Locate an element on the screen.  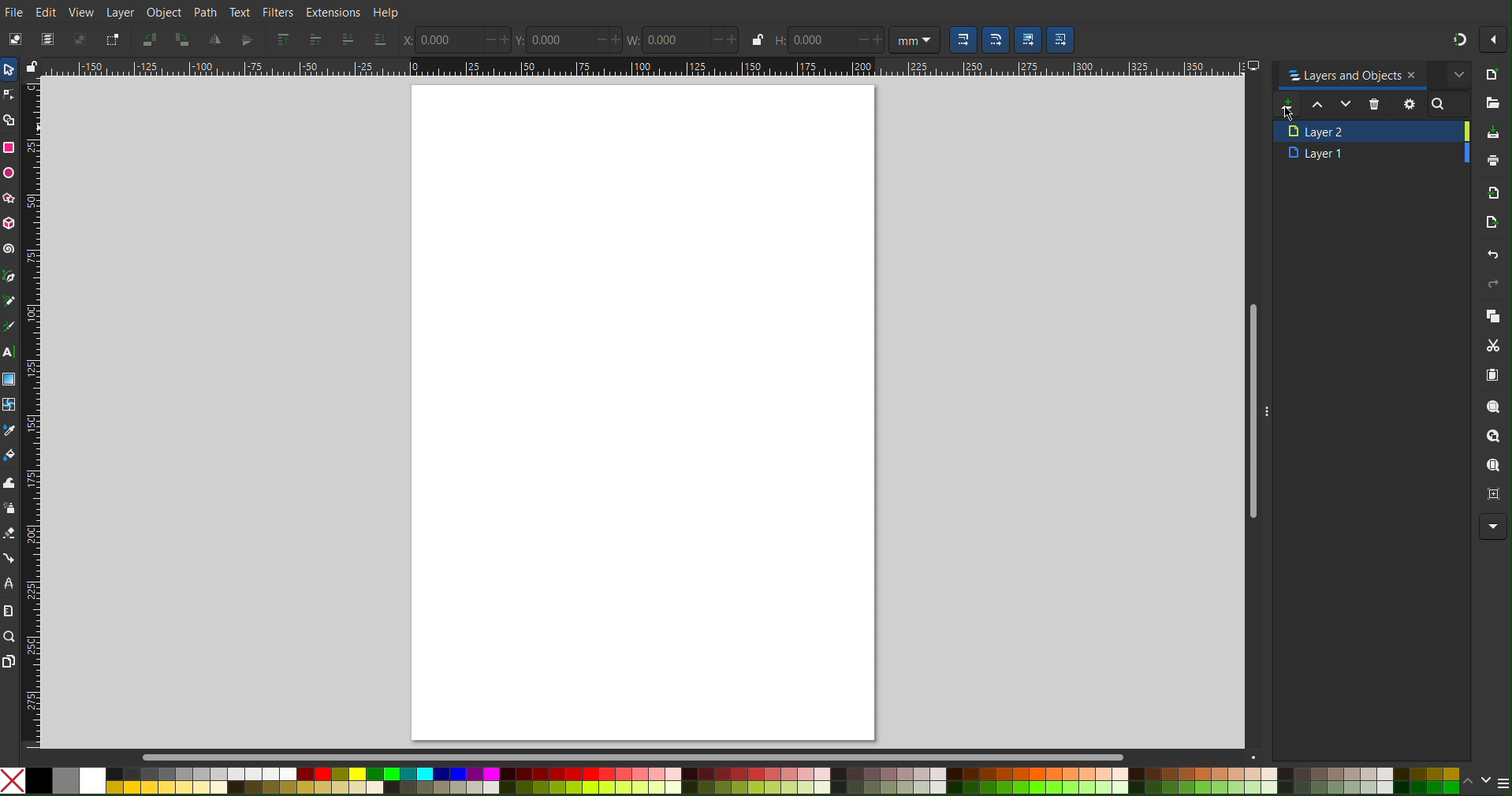
Tweak Tool is located at coordinates (10, 482).